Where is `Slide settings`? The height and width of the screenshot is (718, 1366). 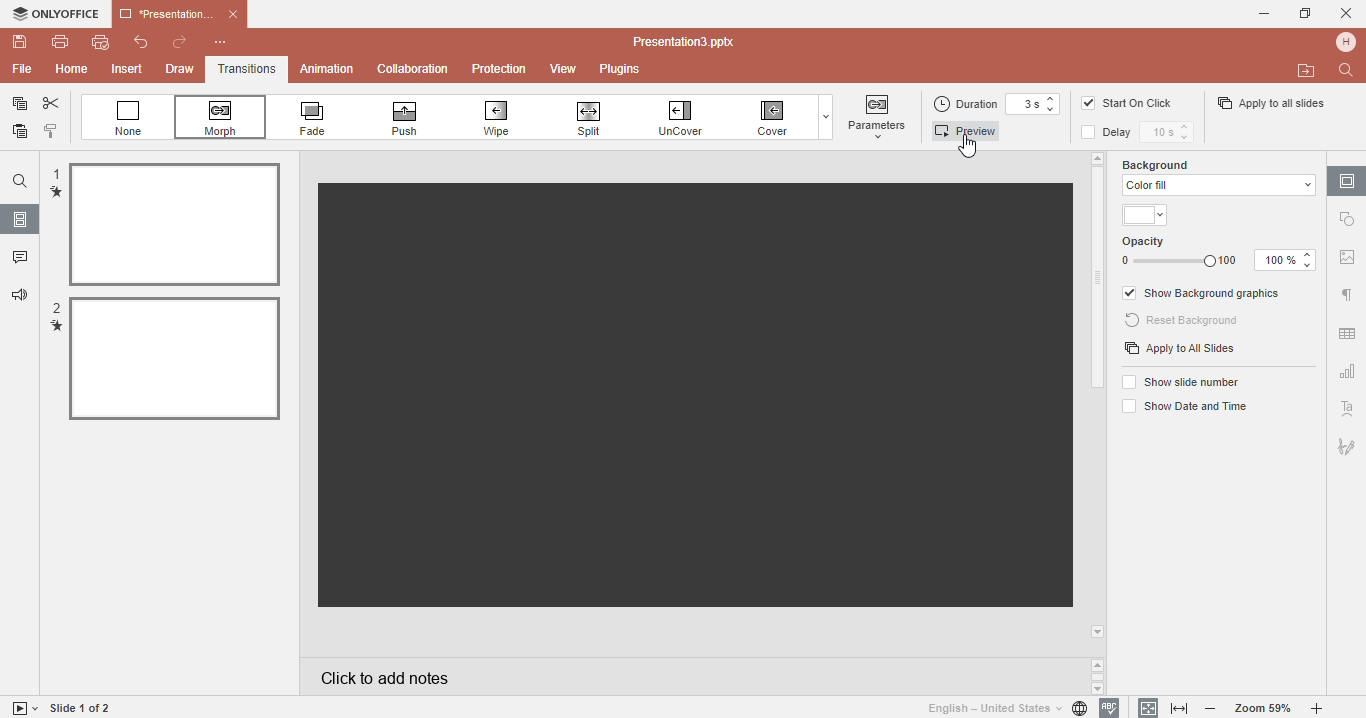
Slide settings is located at coordinates (1347, 180).